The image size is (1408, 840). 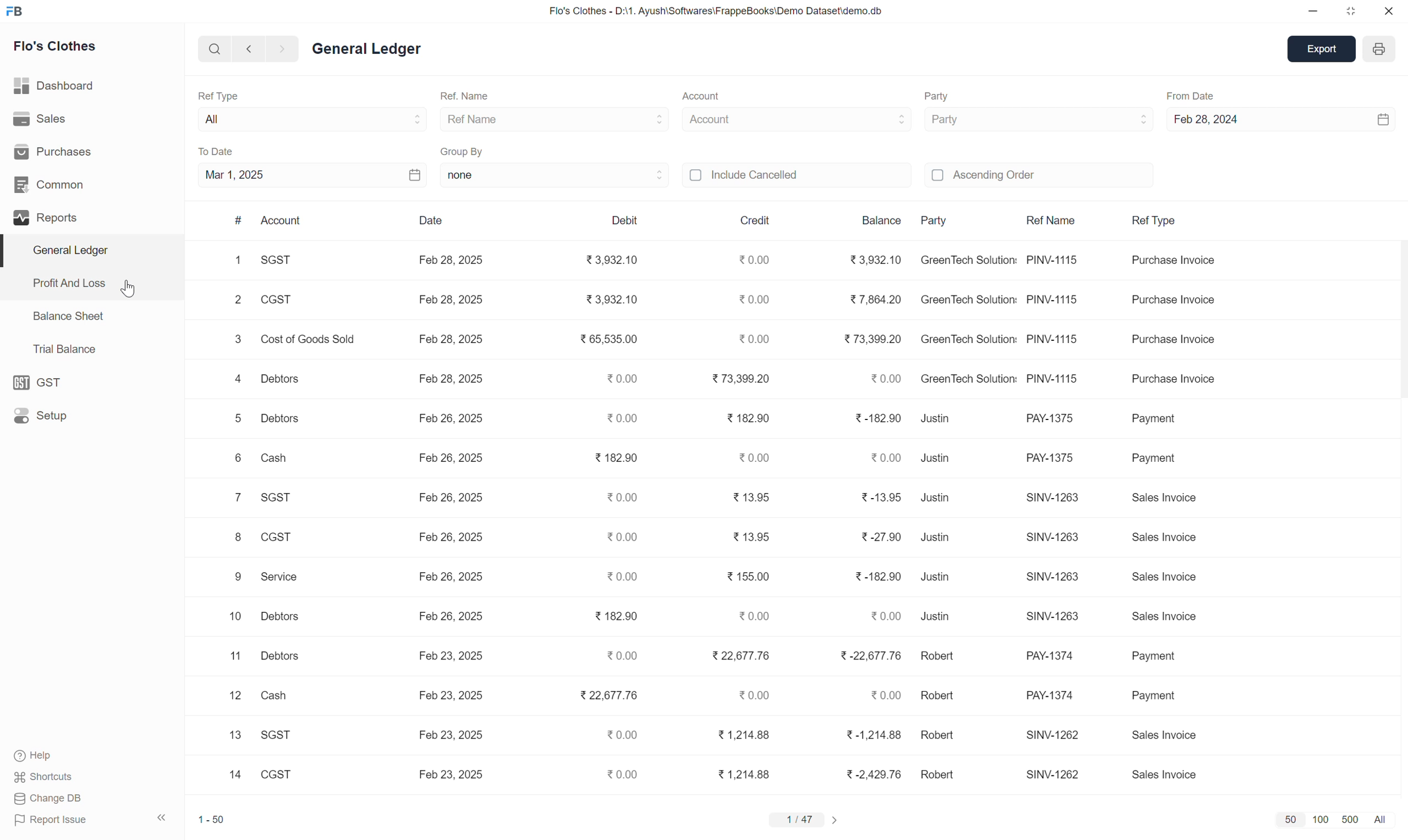 I want to click on Sales Invoice, so click(x=1169, y=578).